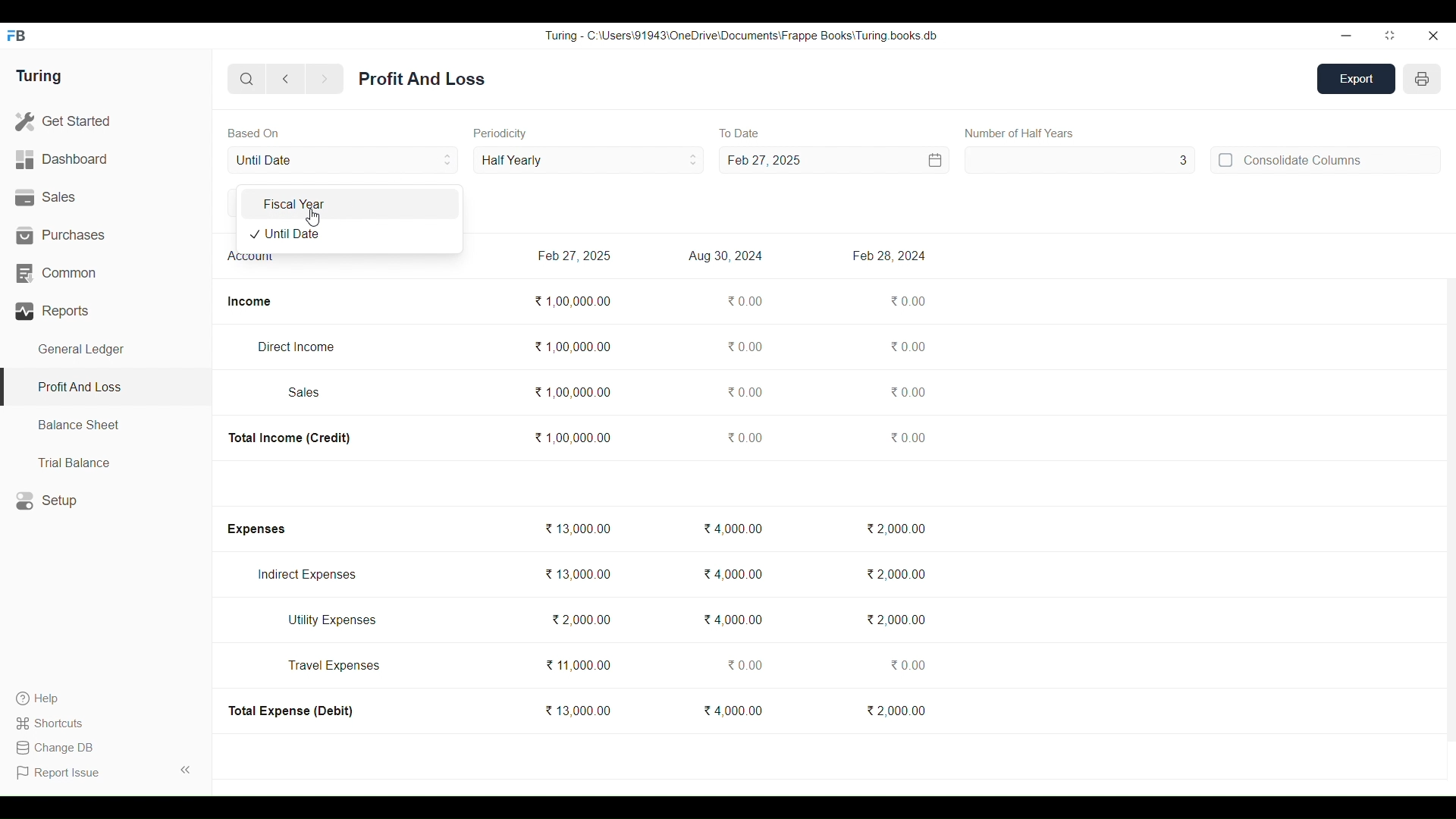  I want to click on 0.00, so click(908, 300).